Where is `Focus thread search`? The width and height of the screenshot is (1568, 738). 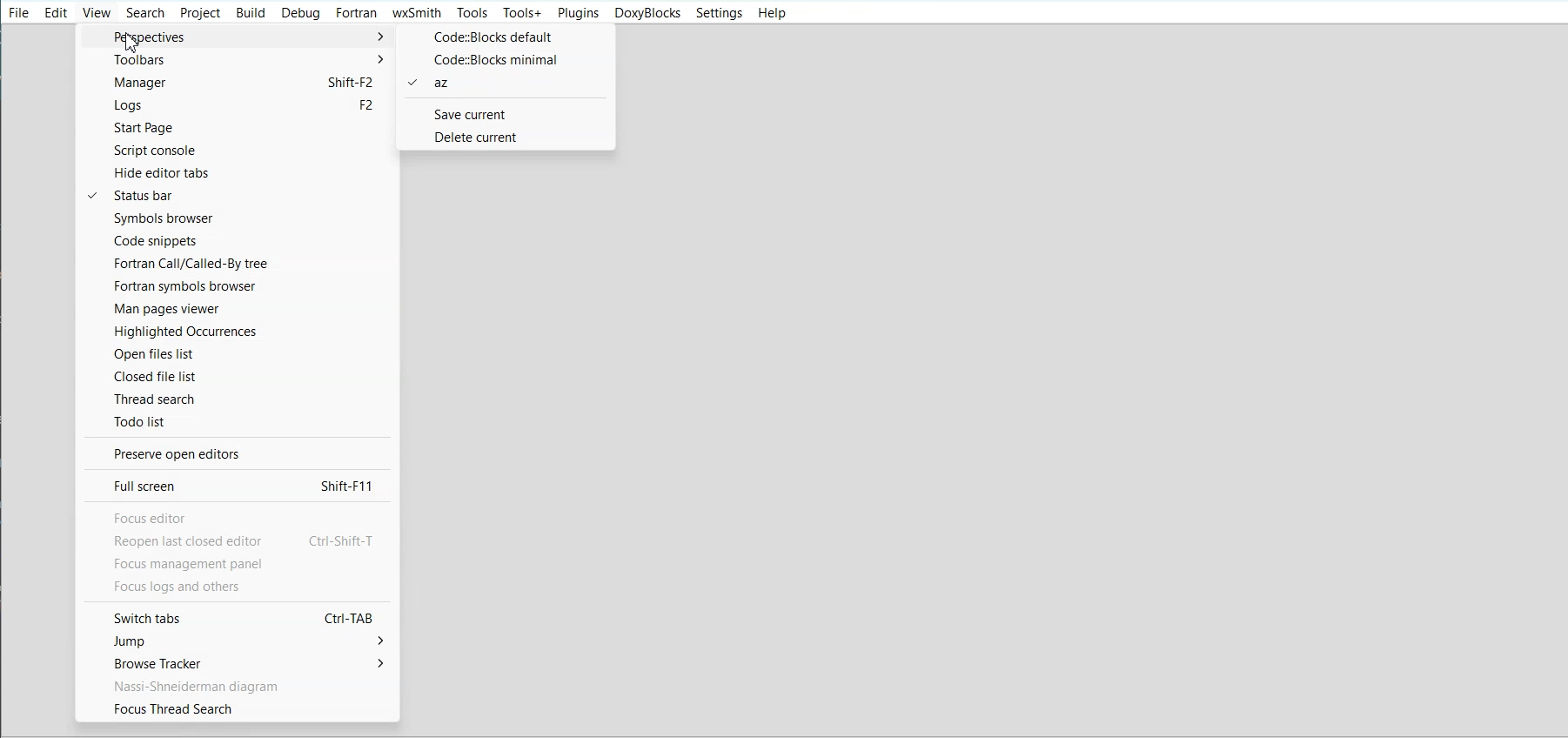
Focus thread search is located at coordinates (245, 708).